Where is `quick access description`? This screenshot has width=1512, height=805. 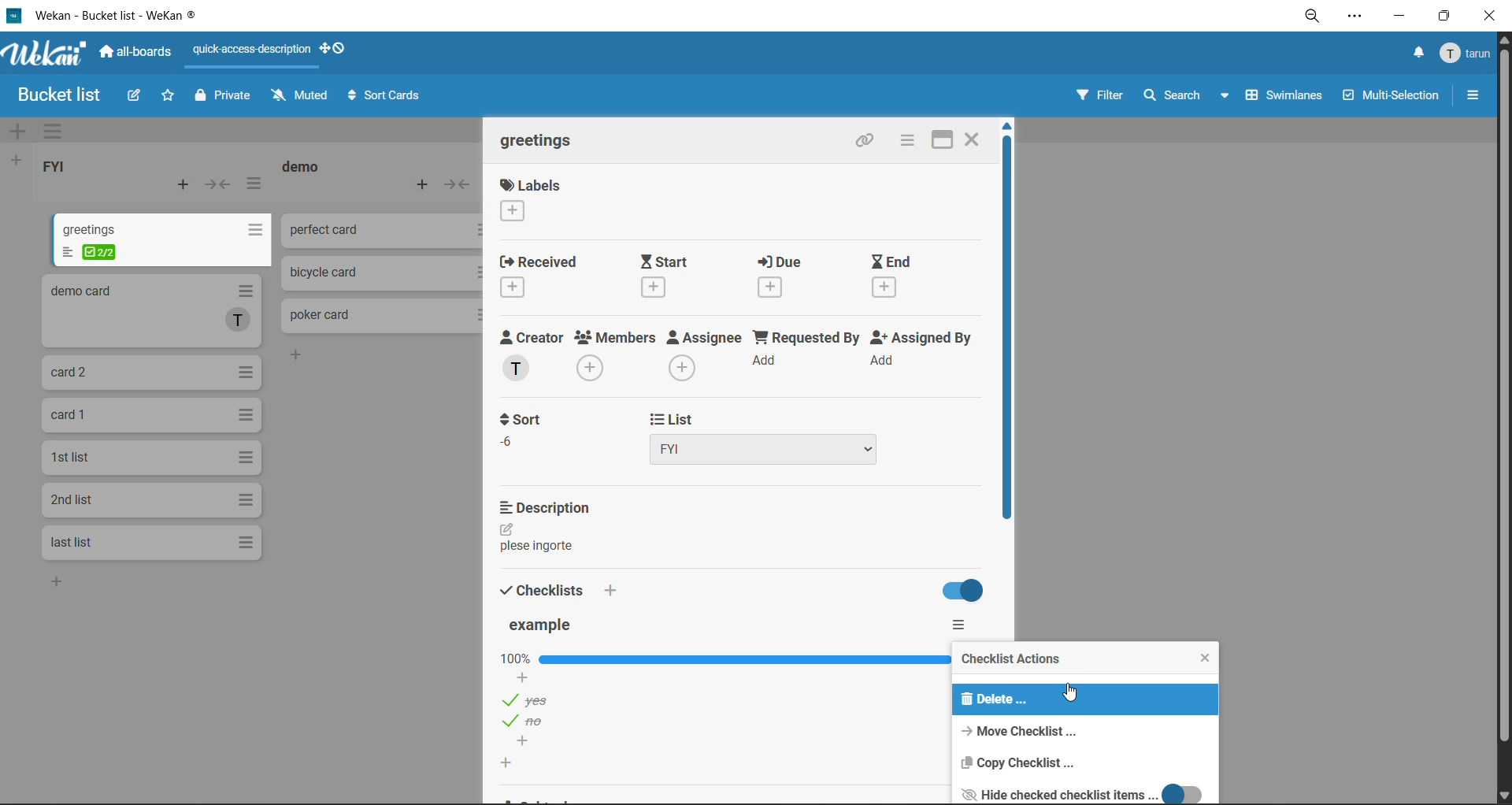
quick access description is located at coordinates (248, 56).